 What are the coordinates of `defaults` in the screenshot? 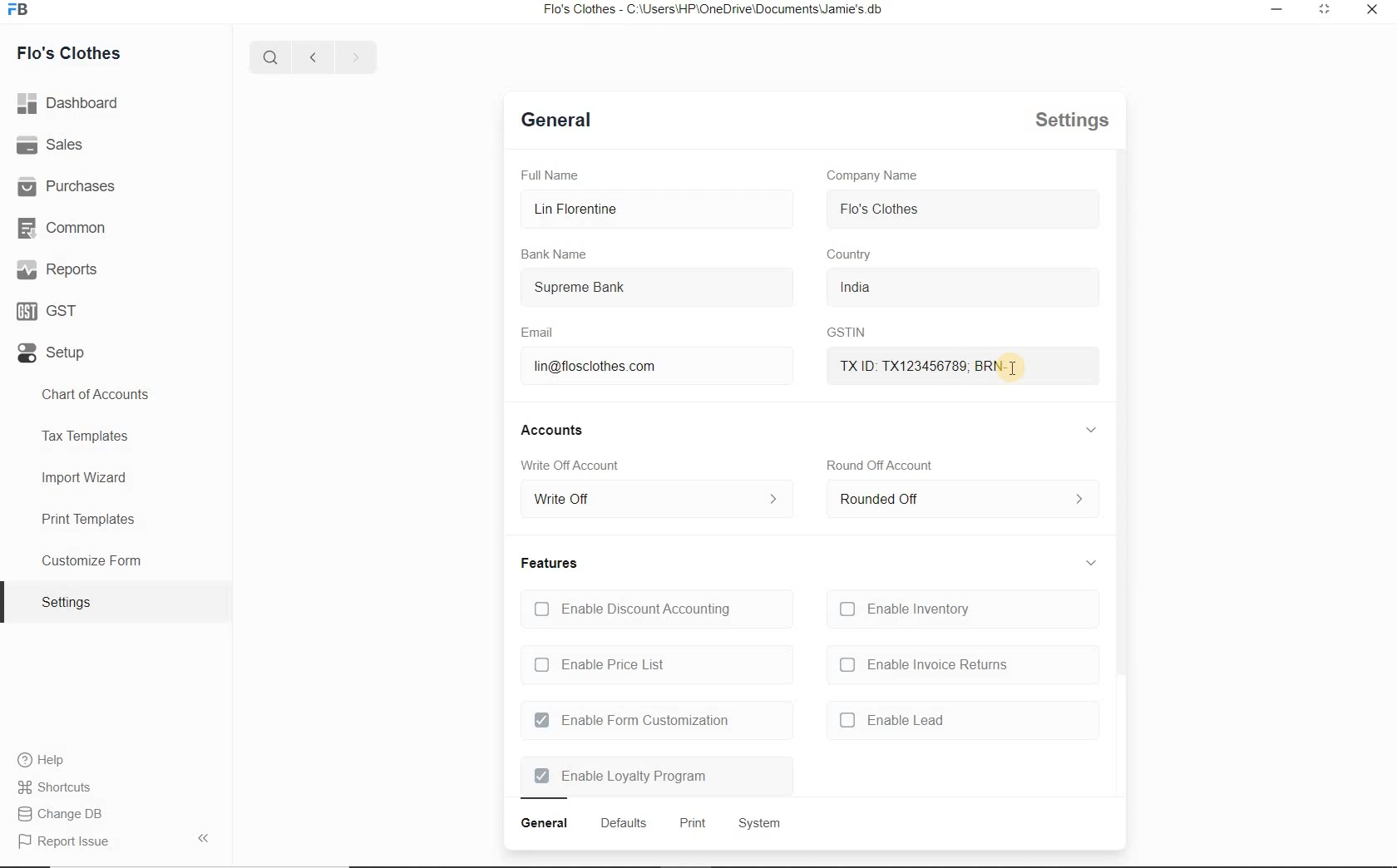 It's located at (623, 823).